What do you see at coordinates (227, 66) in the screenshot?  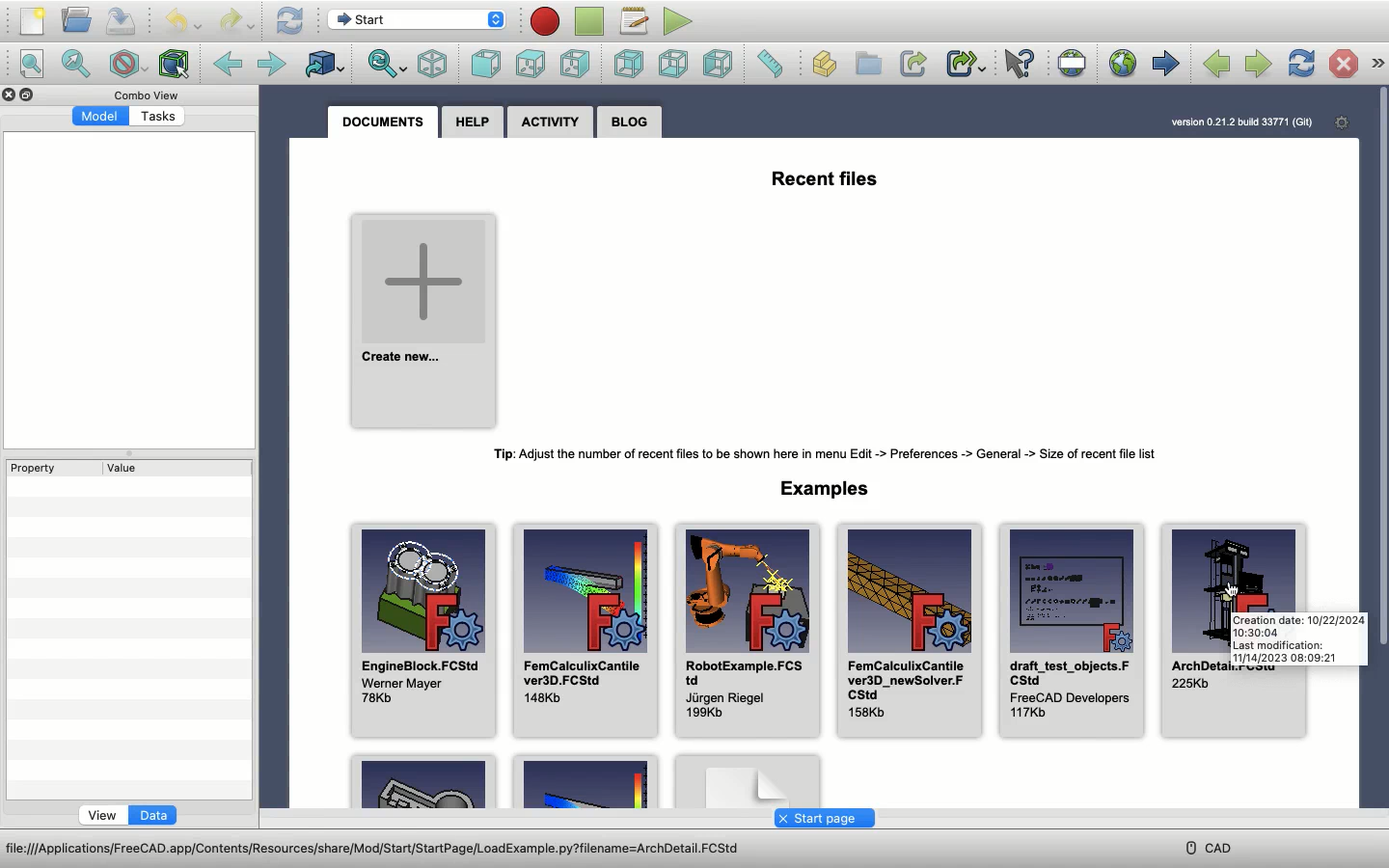 I see `` at bounding box center [227, 66].